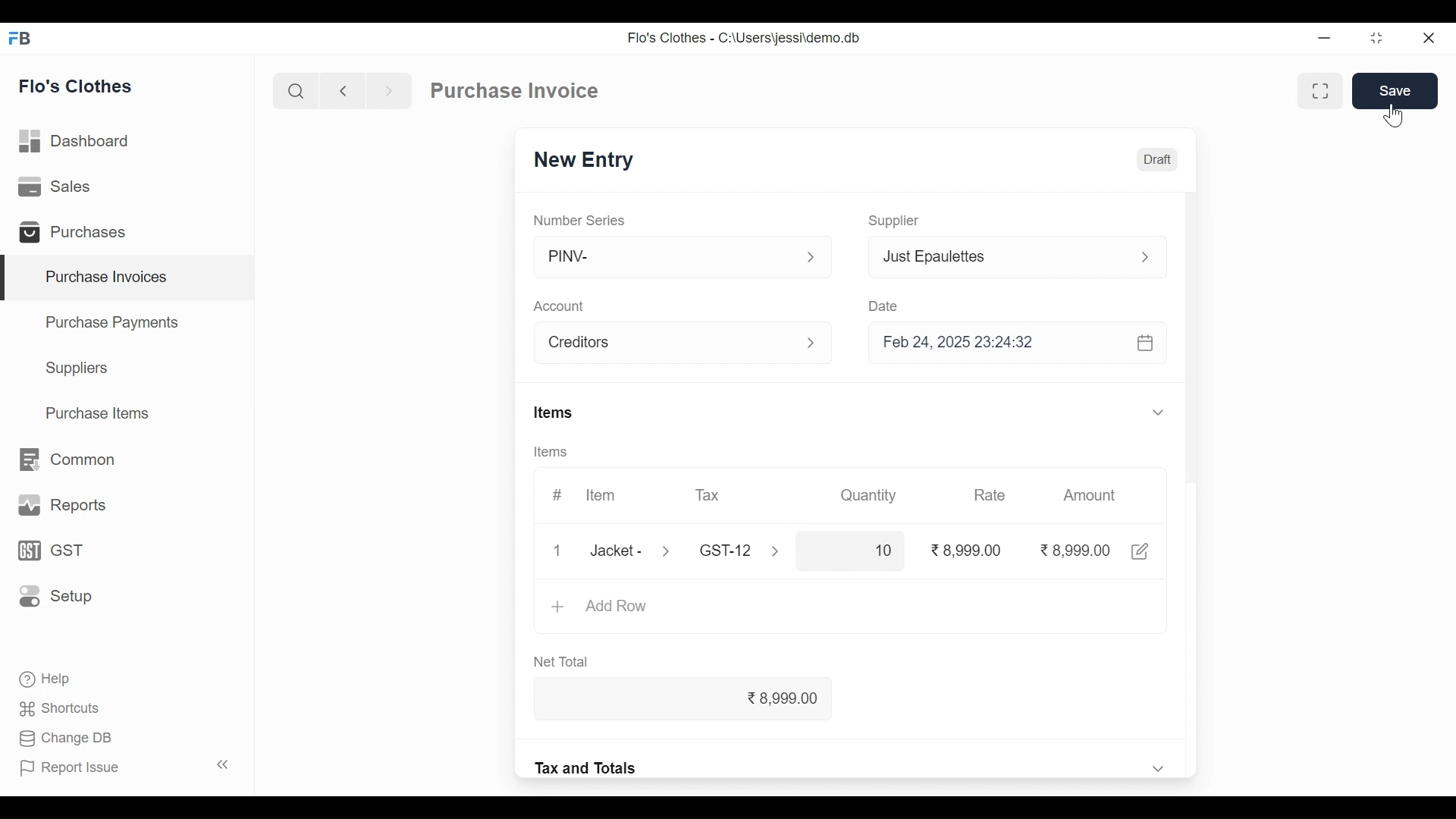 This screenshot has width=1456, height=819. I want to click on Feb 24, 2025 23:24:32, so click(1020, 344).